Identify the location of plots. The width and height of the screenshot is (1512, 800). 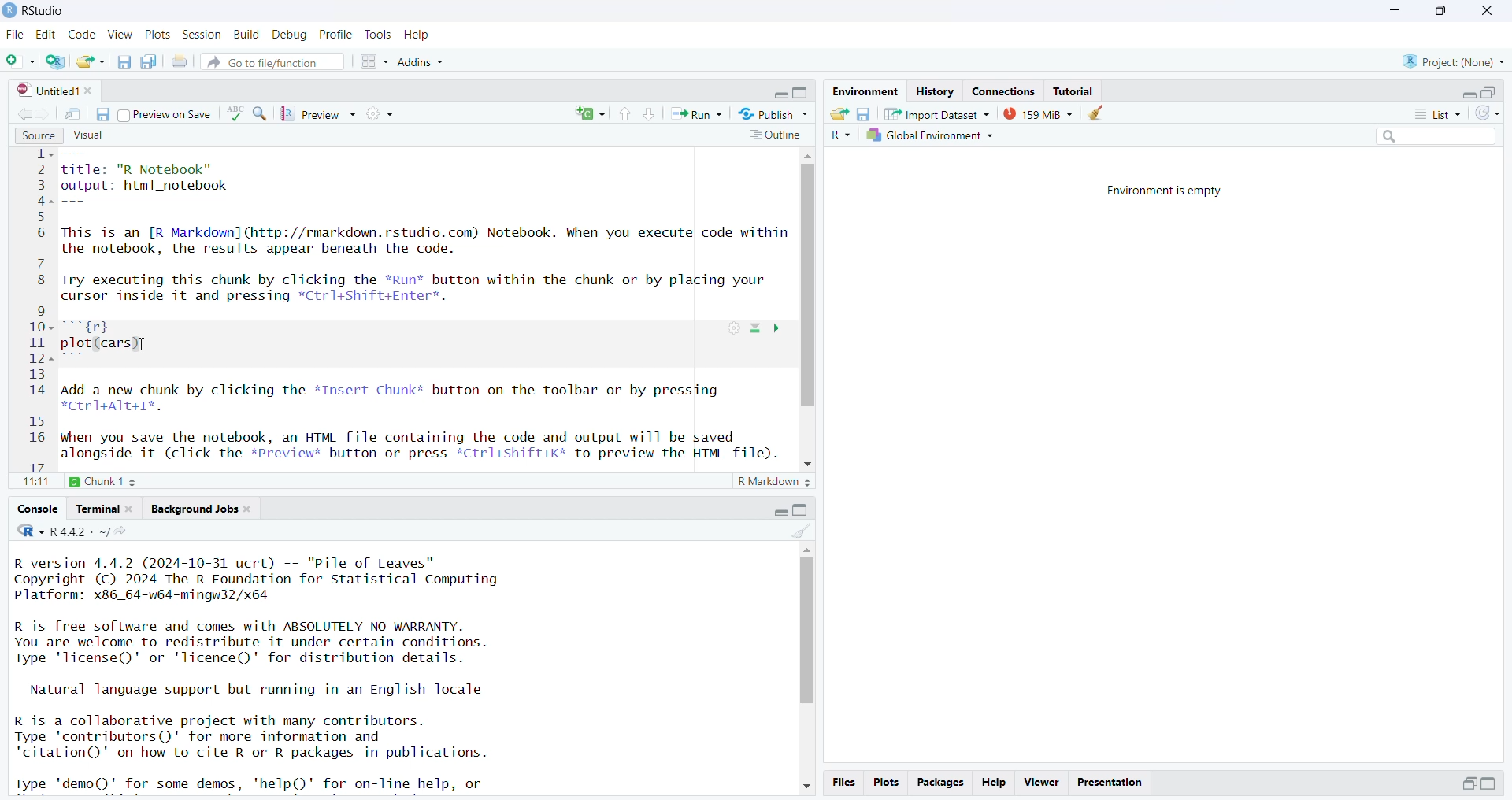
(159, 35).